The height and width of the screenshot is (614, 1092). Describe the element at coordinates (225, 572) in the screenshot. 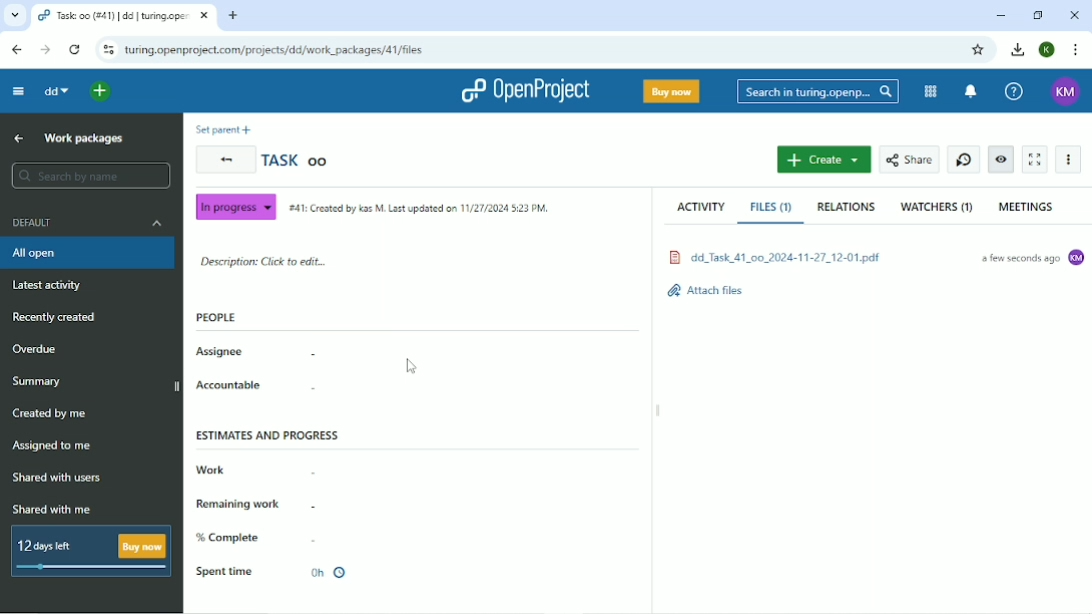

I see `Spent time` at that location.